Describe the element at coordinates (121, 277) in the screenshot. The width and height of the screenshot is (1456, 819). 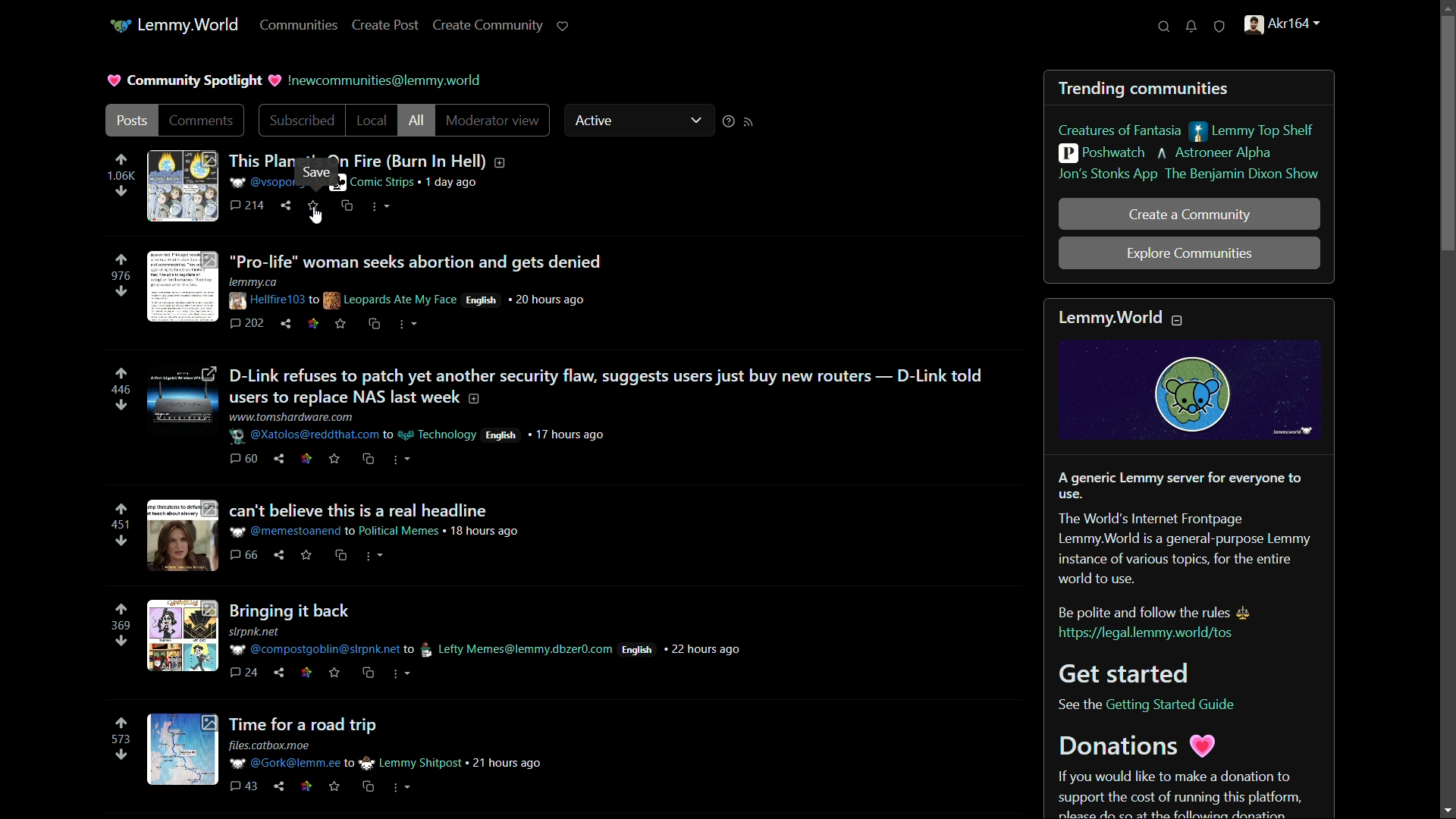
I see `number of votes` at that location.